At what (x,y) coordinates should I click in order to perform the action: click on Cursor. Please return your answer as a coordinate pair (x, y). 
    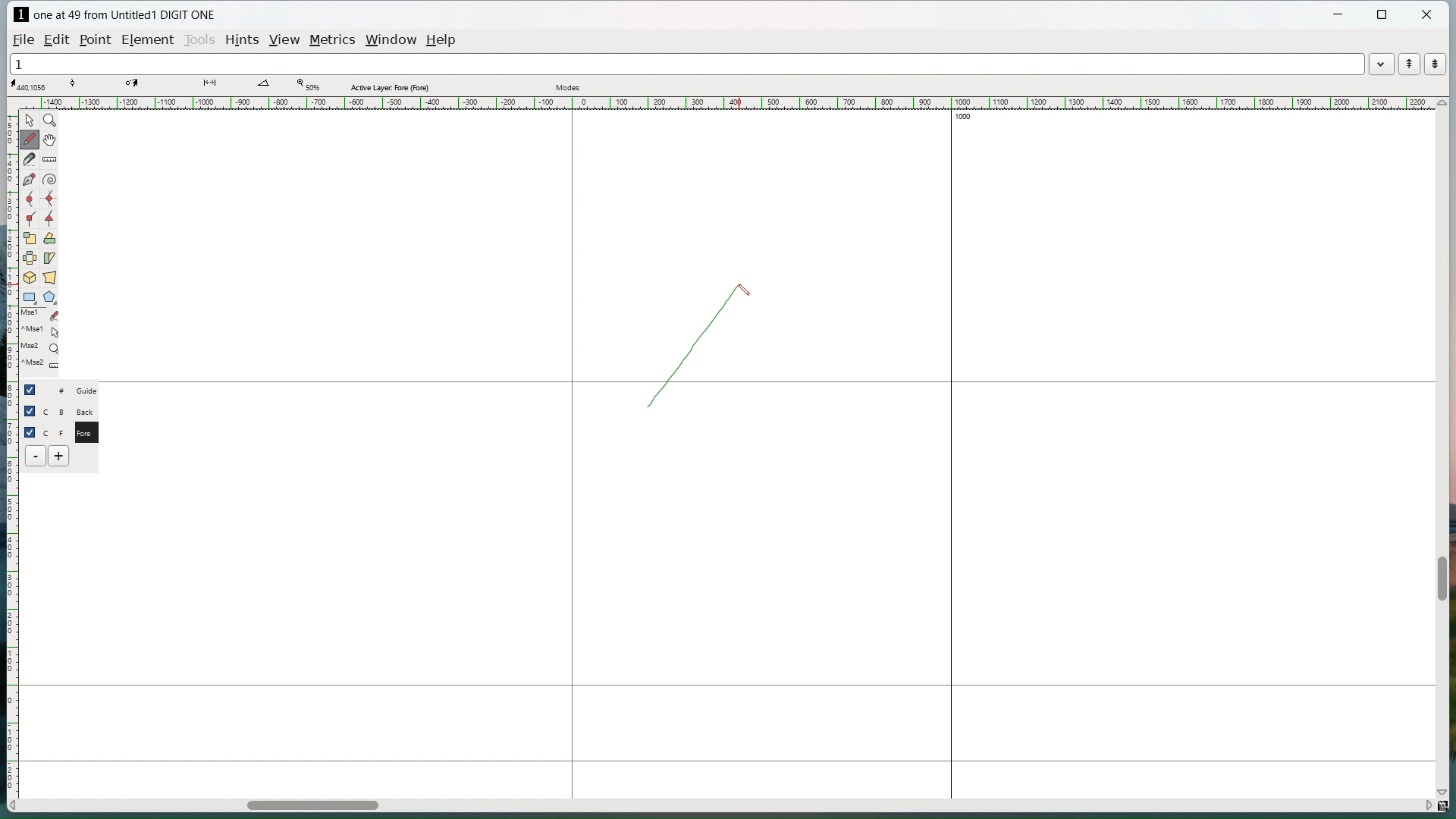
    Looking at the image, I should click on (746, 288).